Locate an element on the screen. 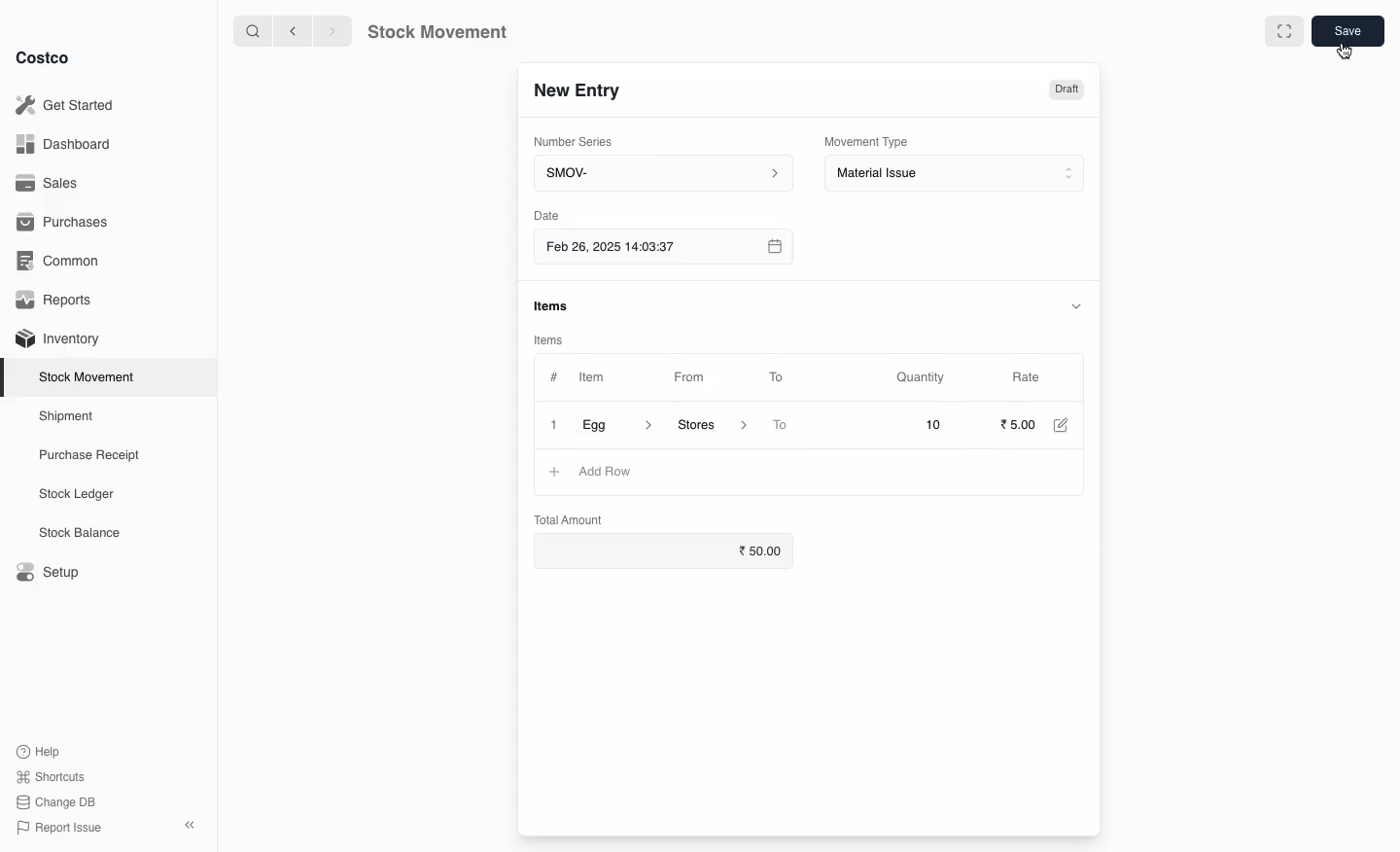  Date is located at coordinates (545, 215).